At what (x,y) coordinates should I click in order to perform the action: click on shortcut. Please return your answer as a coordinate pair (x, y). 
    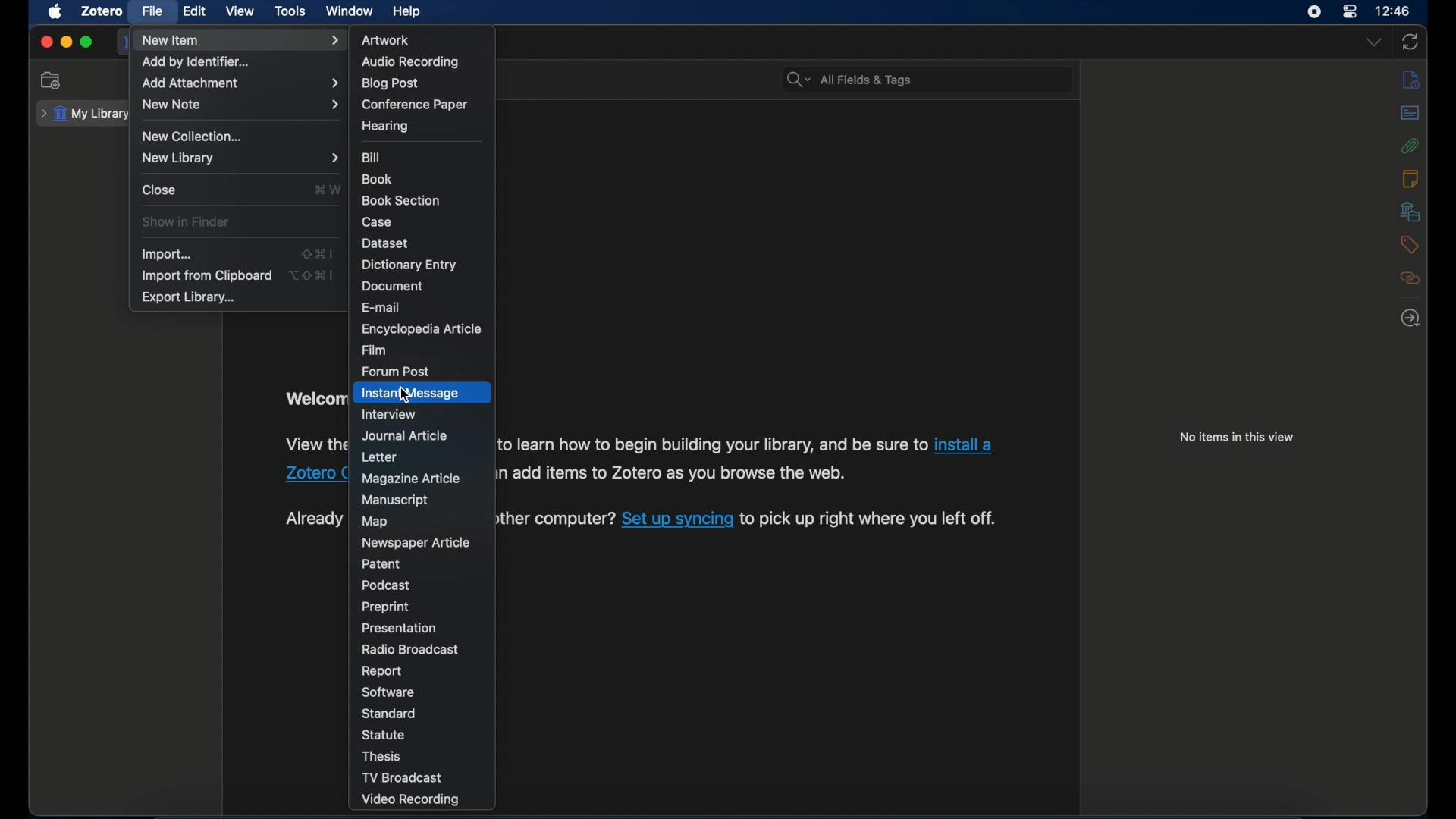
    Looking at the image, I should click on (315, 254).